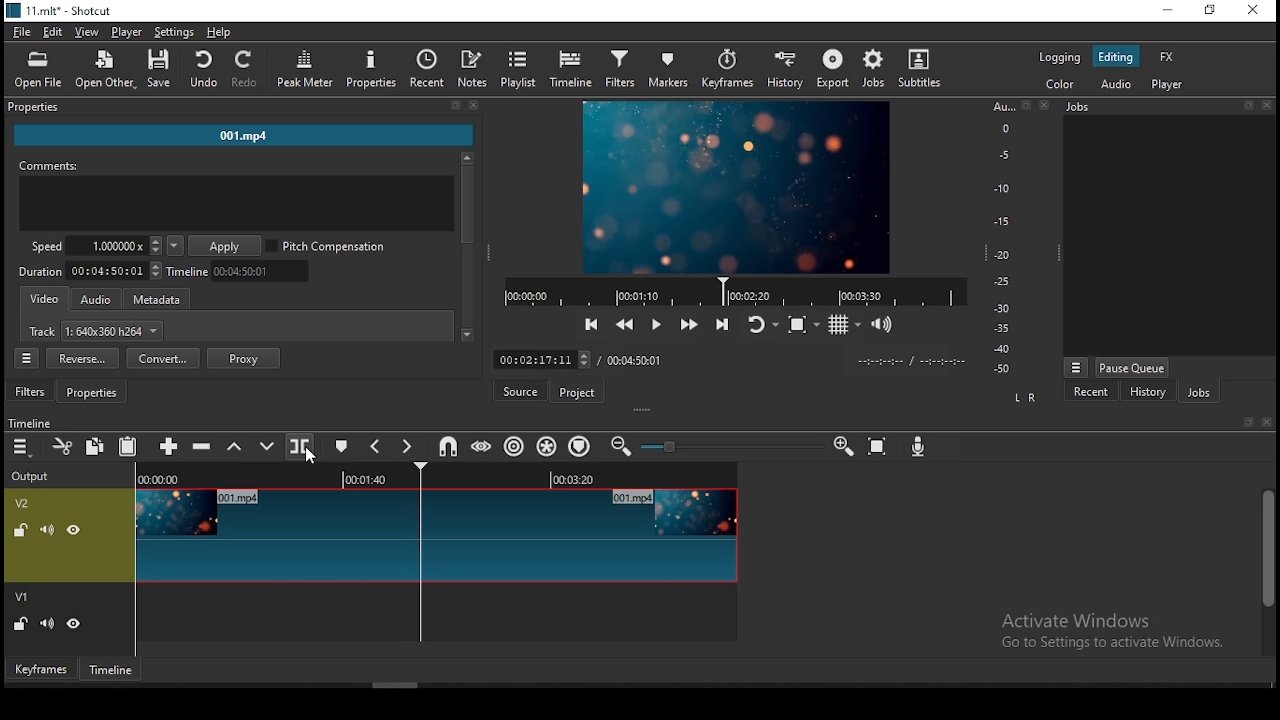 The image size is (1280, 720). Describe the element at coordinates (20, 625) in the screenshot. I see `(UN)LOCK` at that location.